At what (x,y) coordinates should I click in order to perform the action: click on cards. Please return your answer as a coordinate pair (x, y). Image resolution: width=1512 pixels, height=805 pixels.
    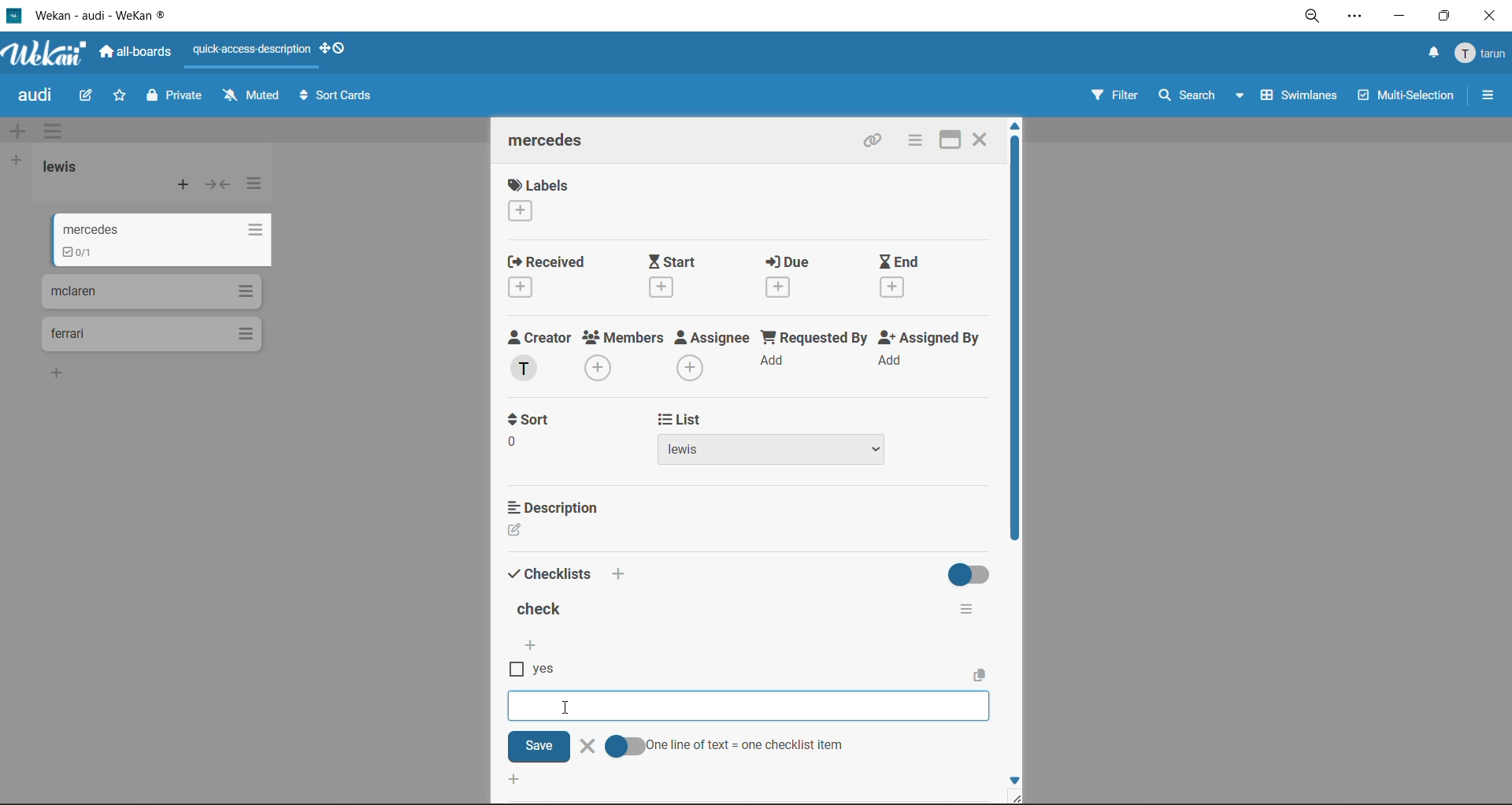
    Looking at the image, I should click on (150, 335).